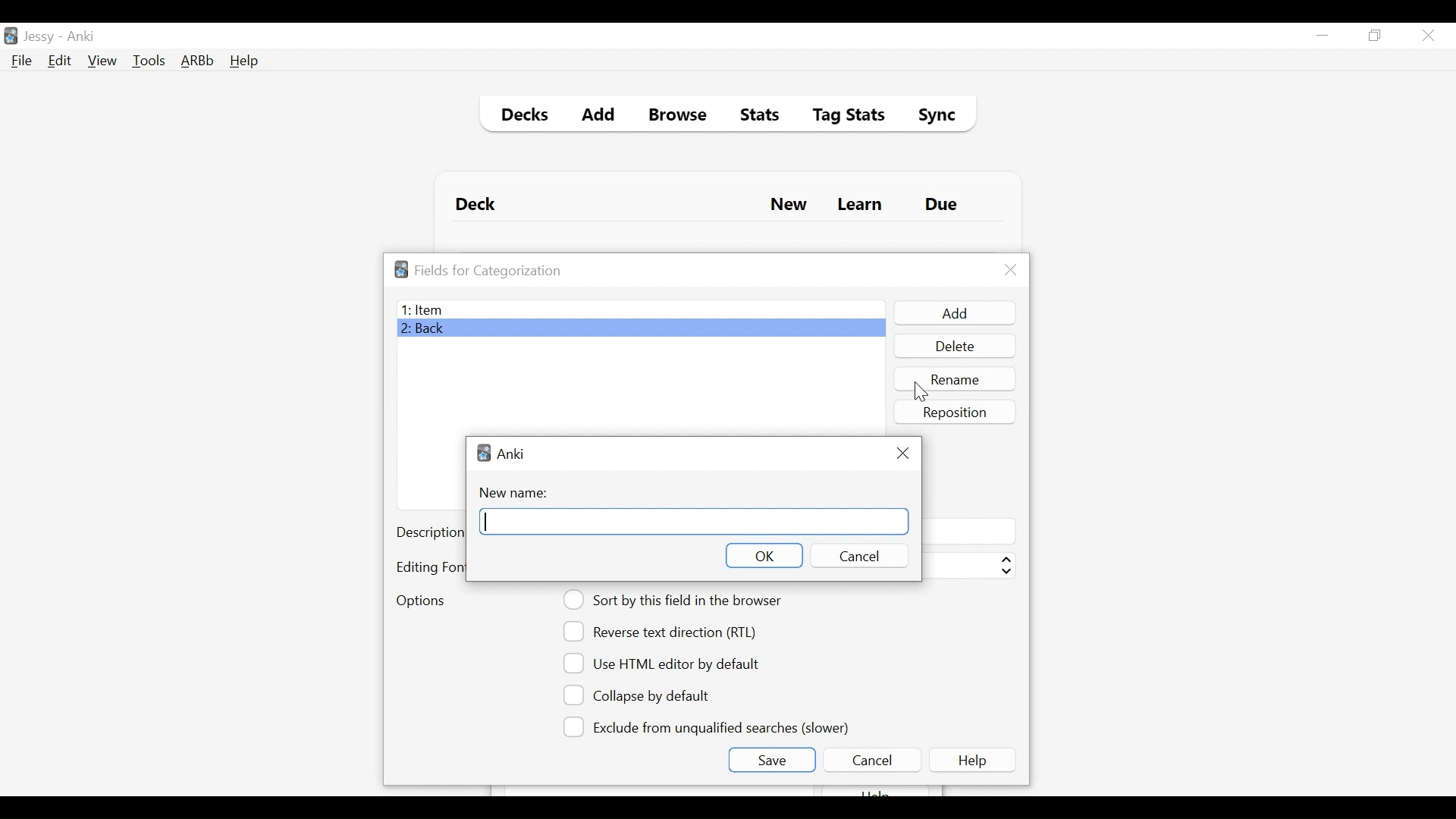  Describe the element at coordinates (789, 206) in the screenshot. I see `New` at that location.